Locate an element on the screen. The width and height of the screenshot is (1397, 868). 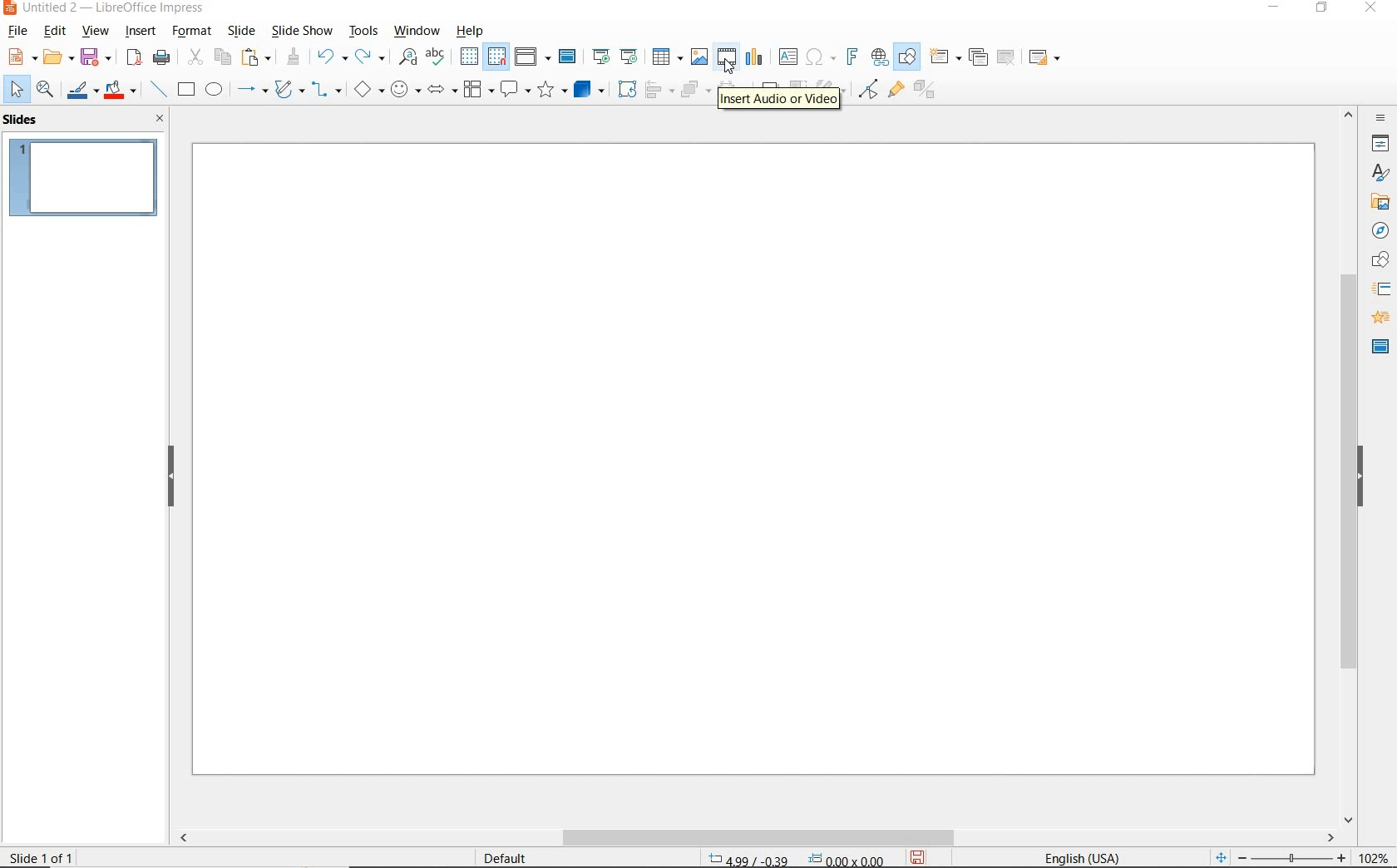
PASTE is located at coordinates (257, 57).